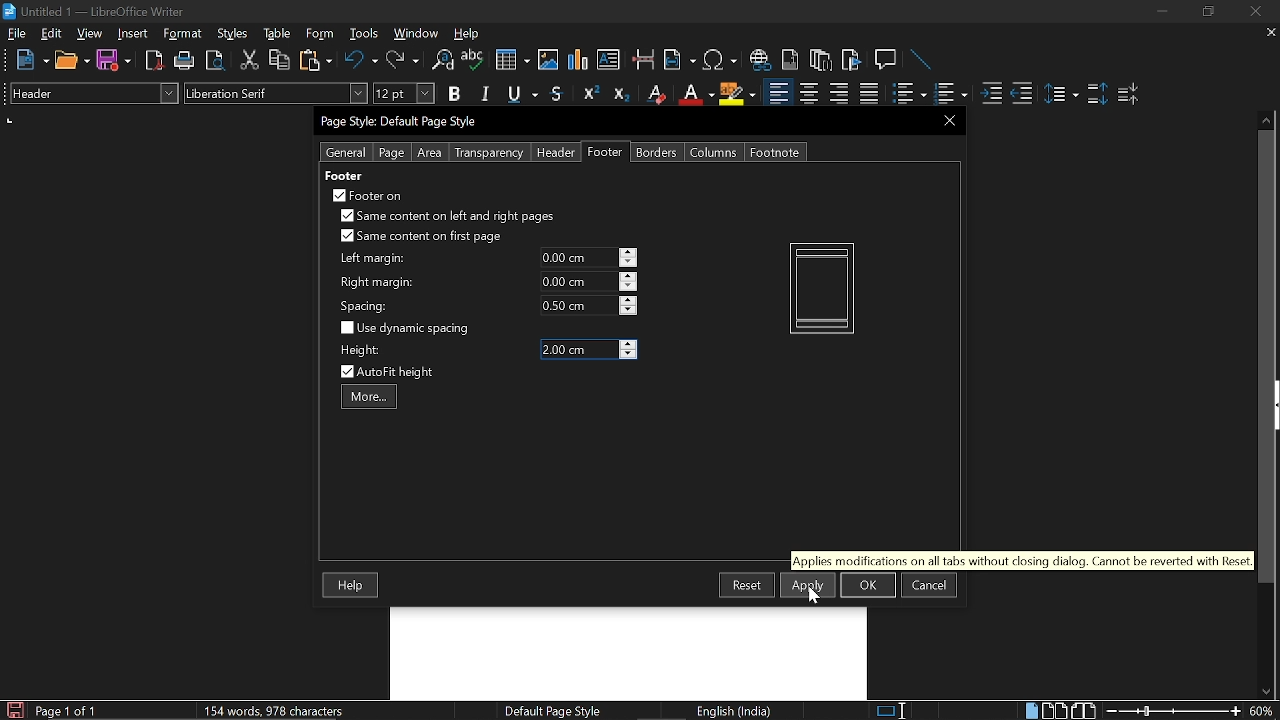 The image size is (1280, 720). I want to click on Align left, so click(778, 94).